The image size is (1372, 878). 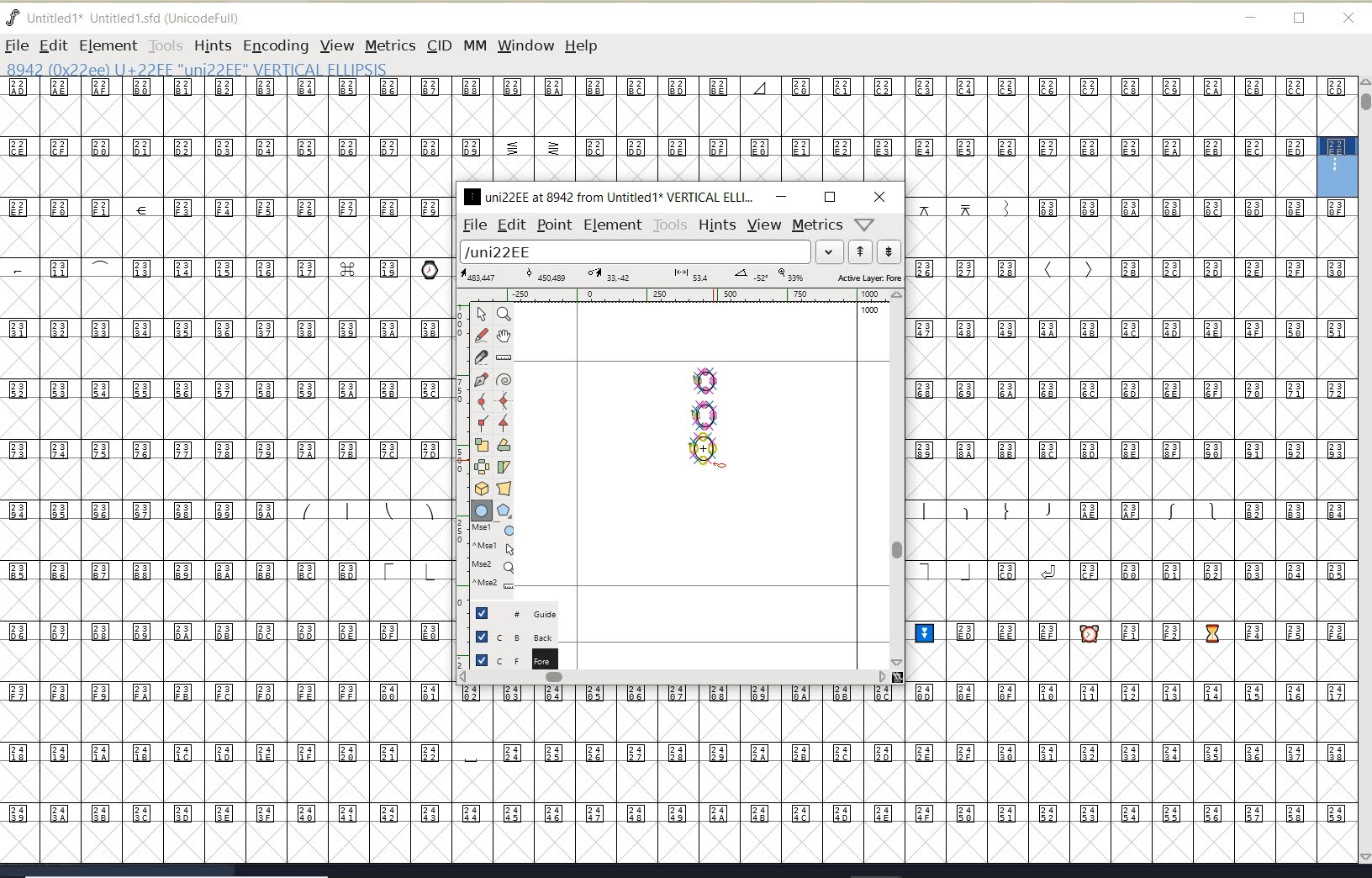 I want to click on a vertical ellipsis creation, so click(x=704, y=449).